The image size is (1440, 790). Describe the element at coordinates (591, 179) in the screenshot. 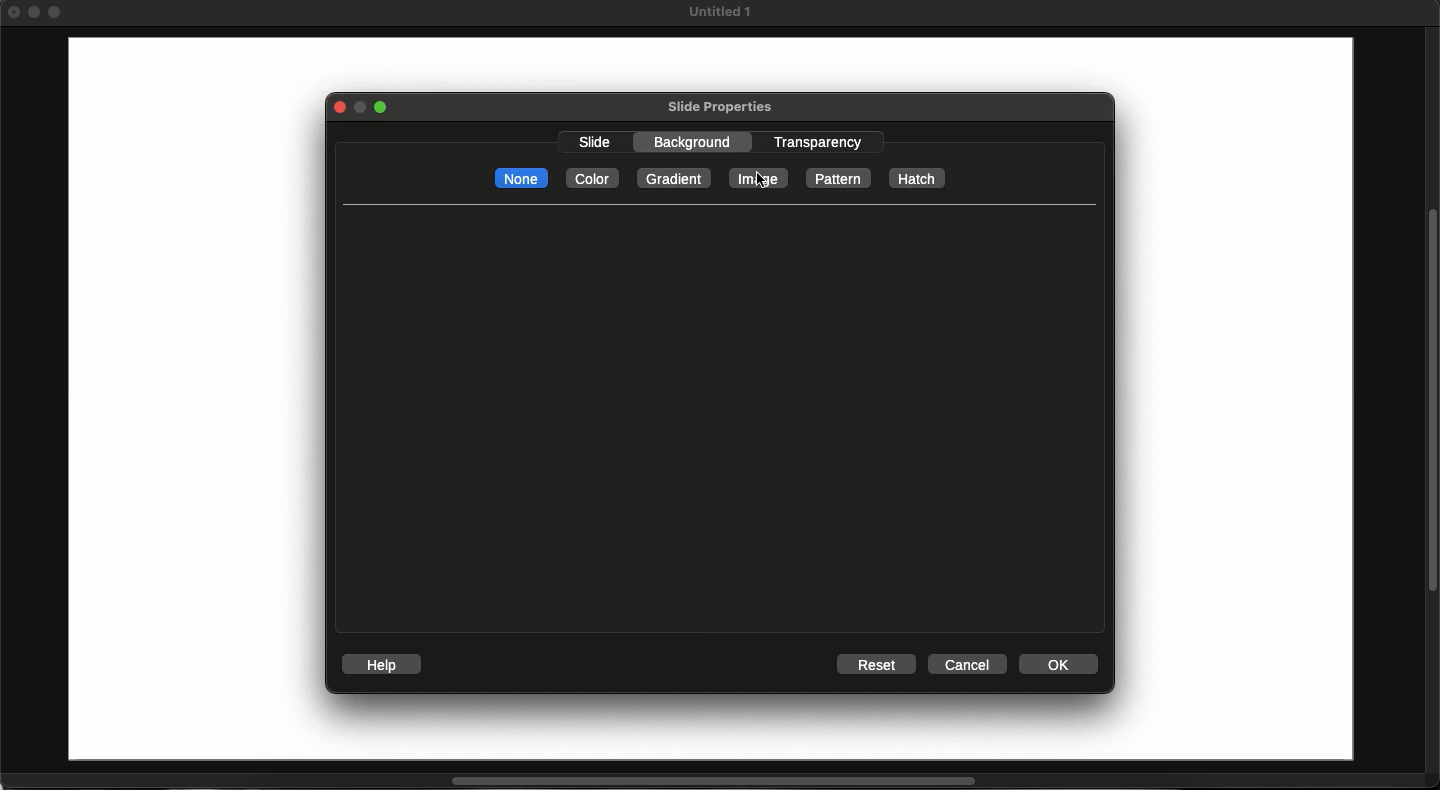

I see `Color` at that location.